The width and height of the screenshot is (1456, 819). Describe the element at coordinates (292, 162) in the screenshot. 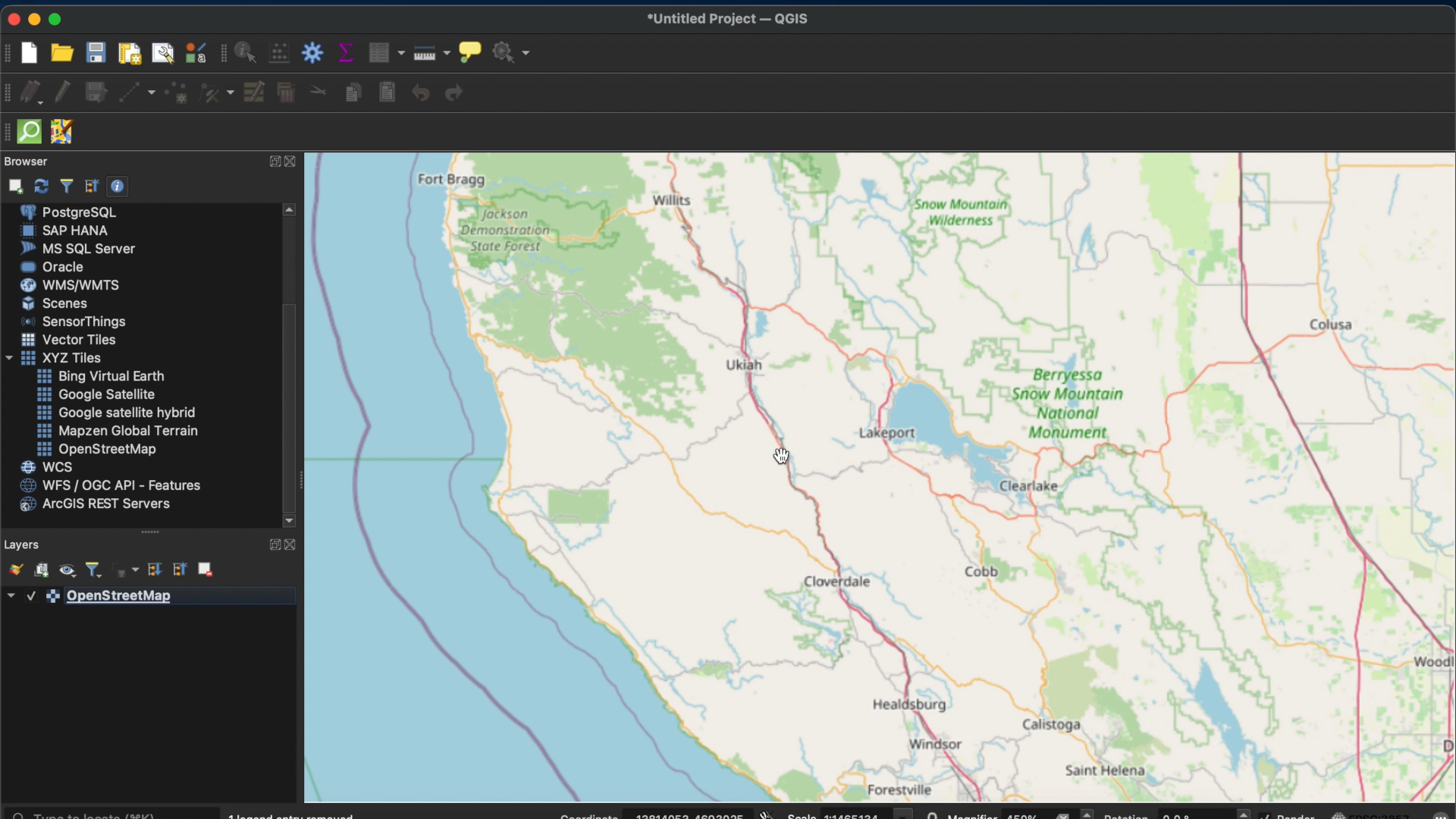

I see `CONTRACT` at that location.